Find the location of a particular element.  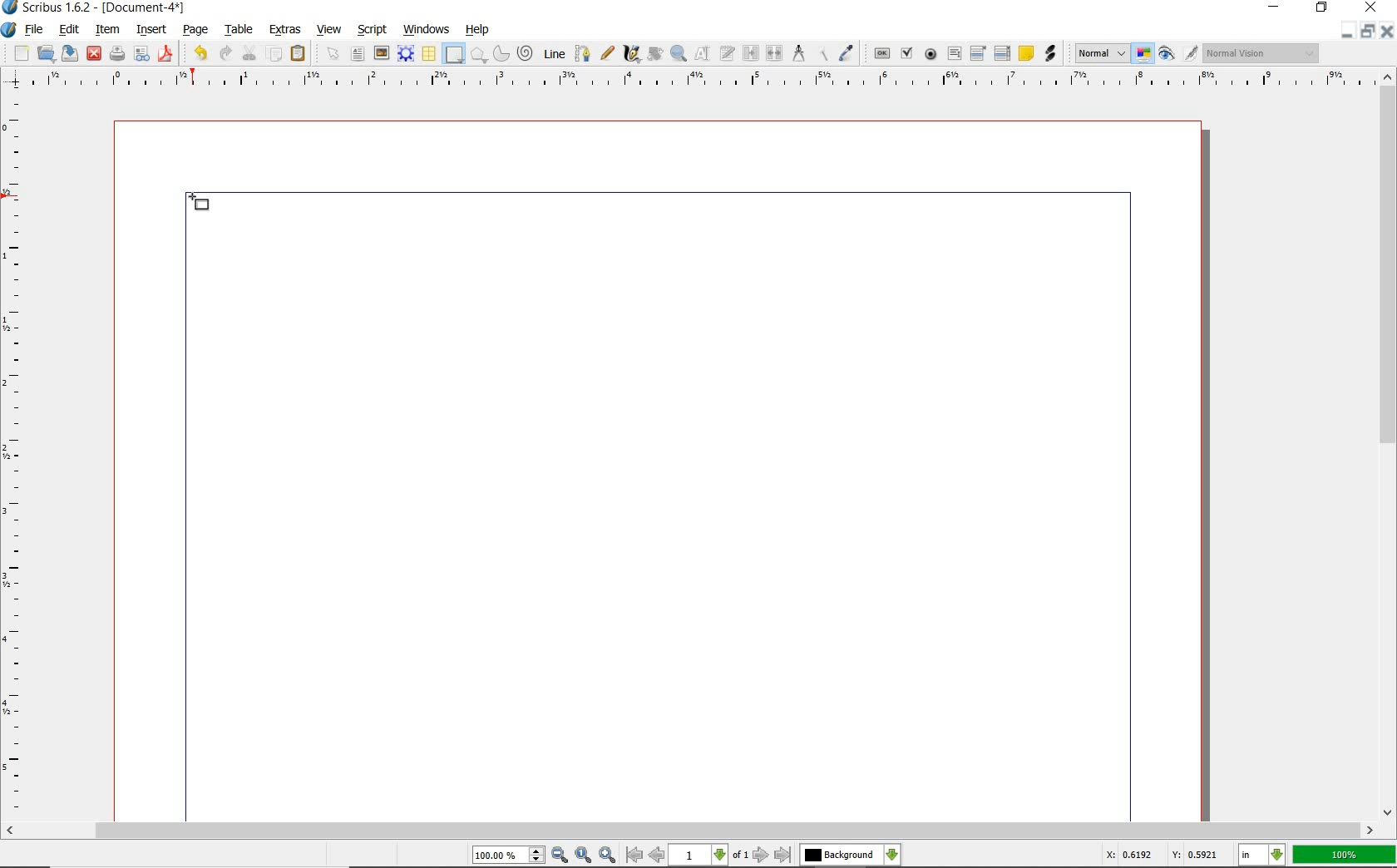

save is located at coordinates (71, 54).